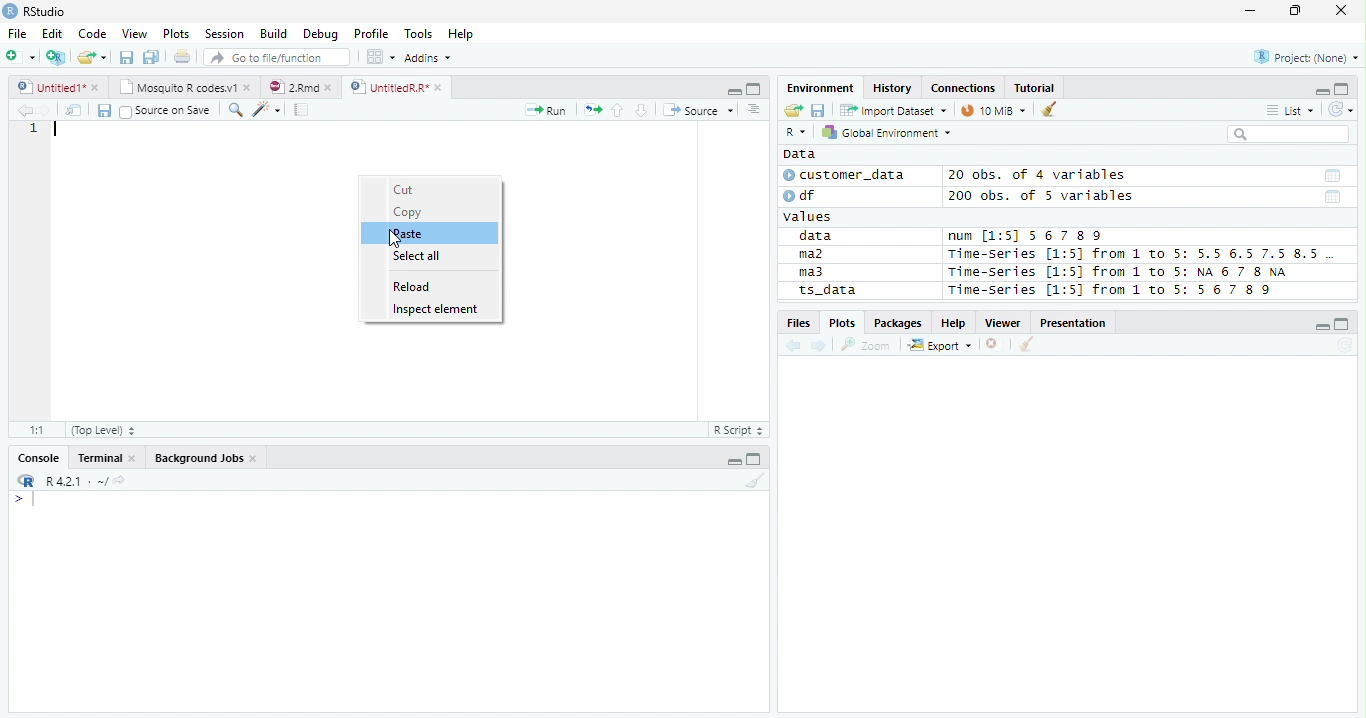 The image size is (1366, 718). Describe the element at coordinates (33, 500) in the screenshot. I see `Typing indicator` at that location.